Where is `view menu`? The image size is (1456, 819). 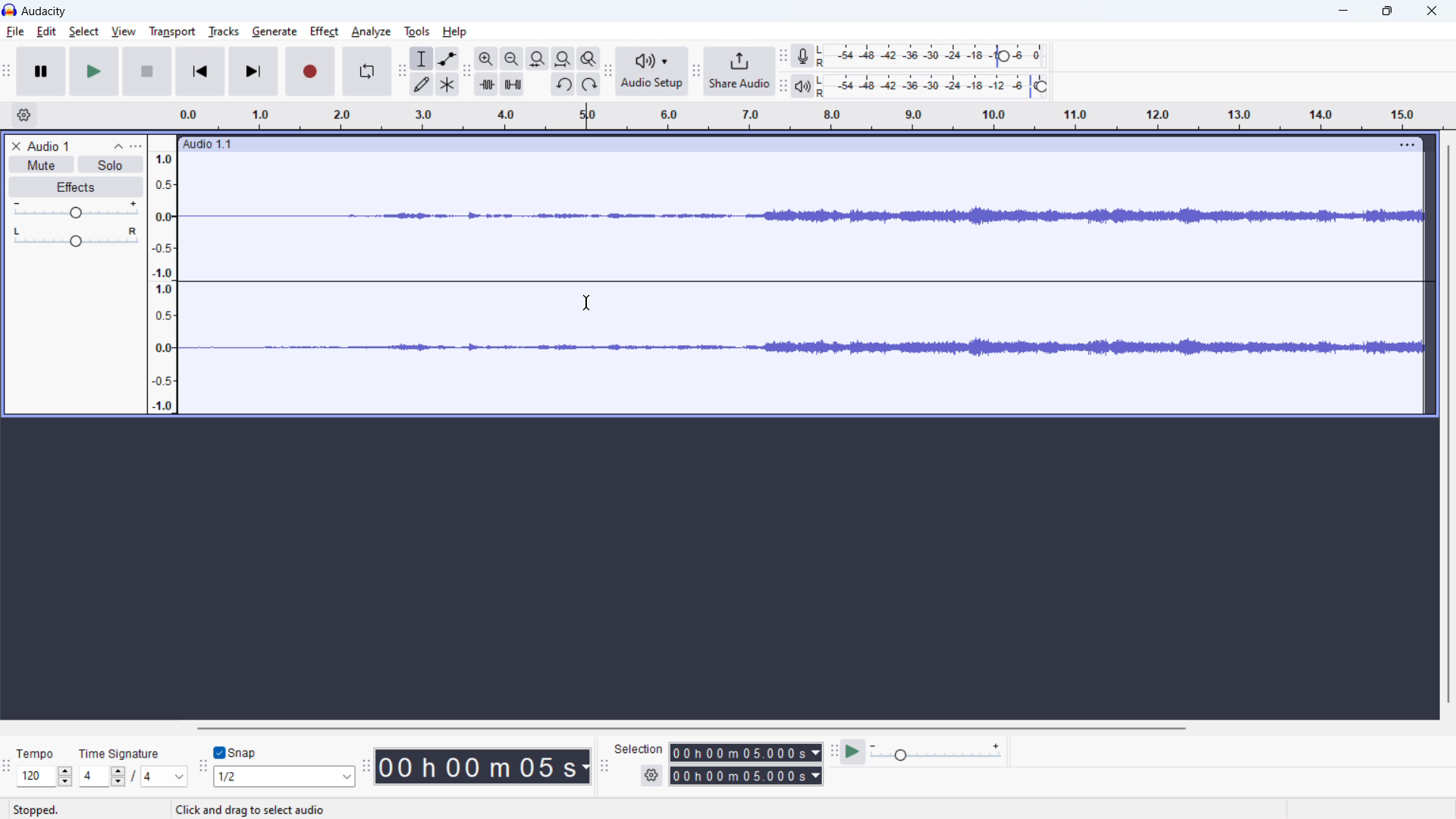
view menu is located at coordinates (136, 146).